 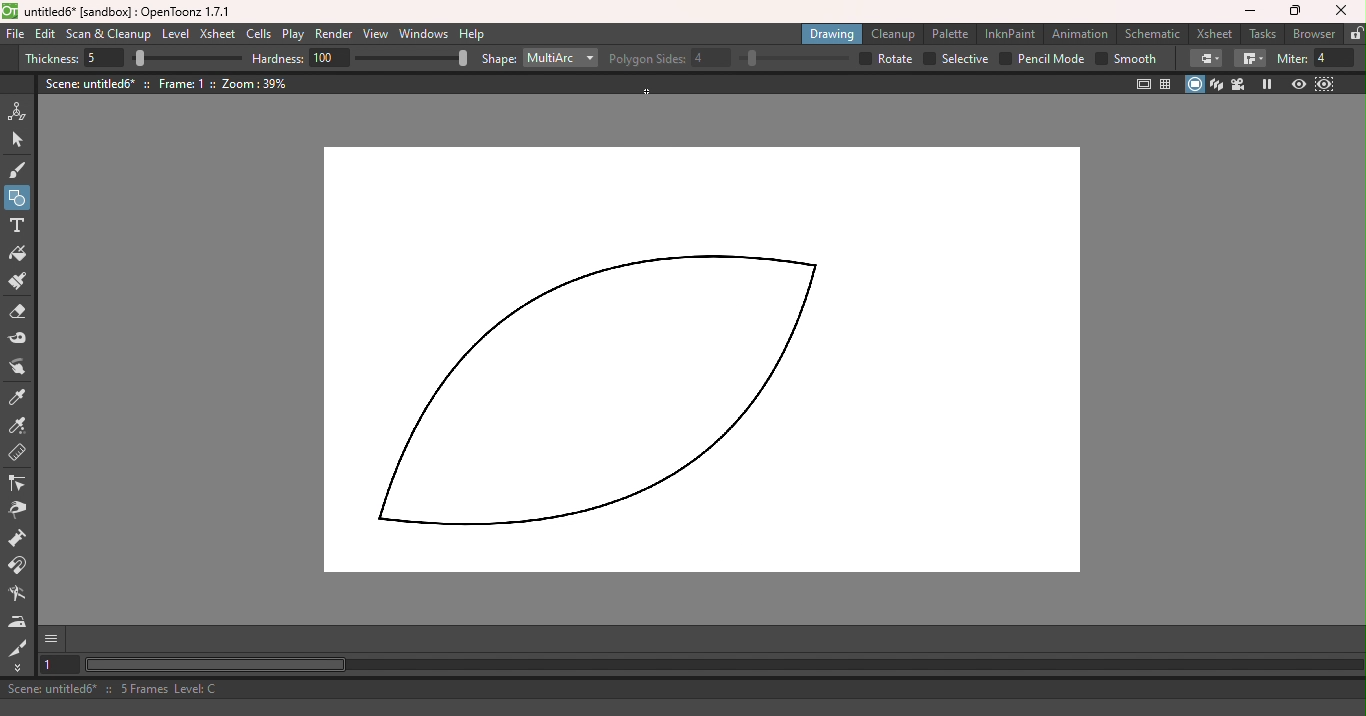 What do you see at coordinates (15, 35) in the screenshot?
I see `File` at bounding box center [15, 35].